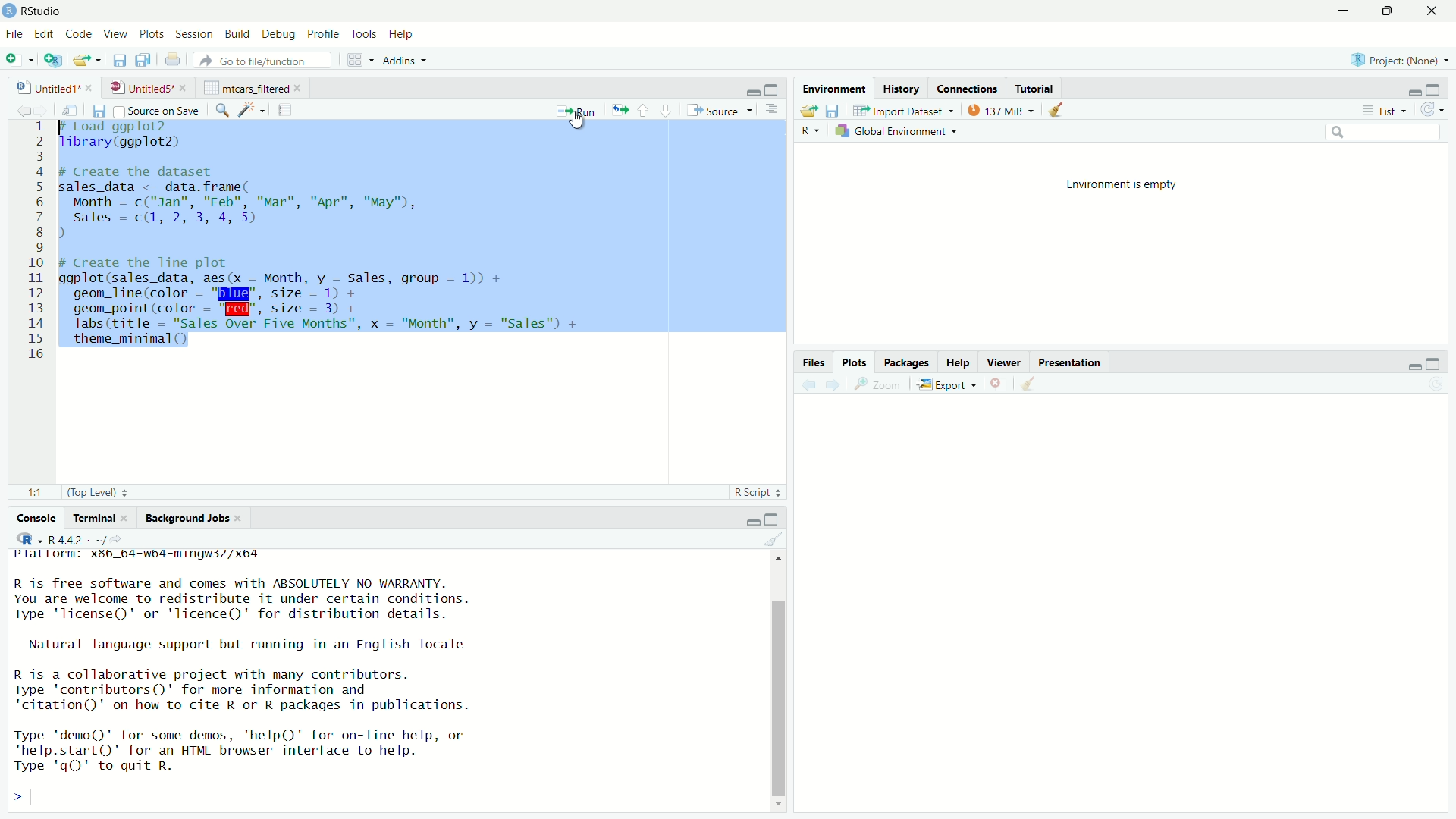  Describe the element at coordinates (750, 521) in the screenshot. I see `minimize` at that location.